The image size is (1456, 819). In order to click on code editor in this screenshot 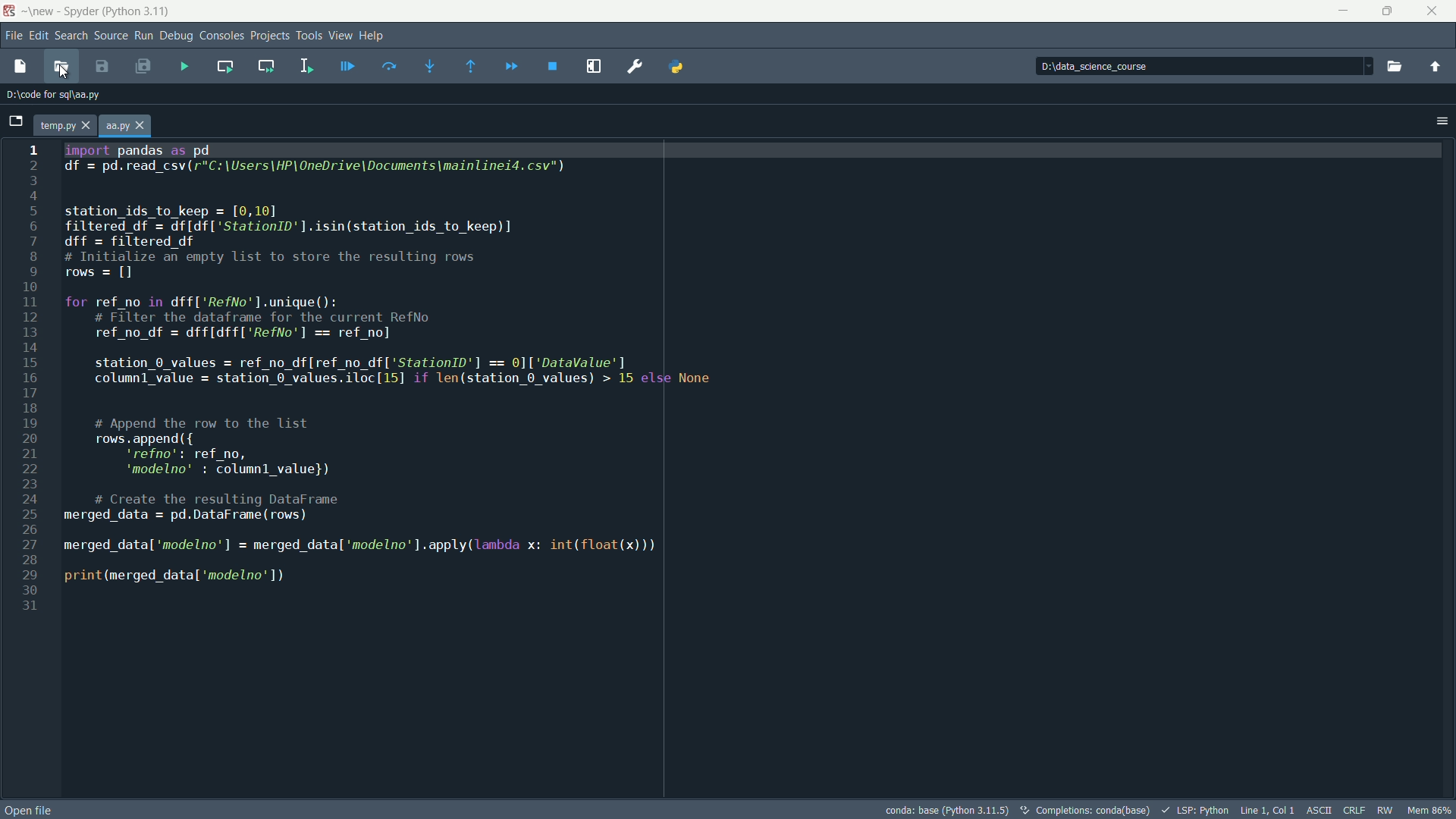, I will do `click(723, 467)`.